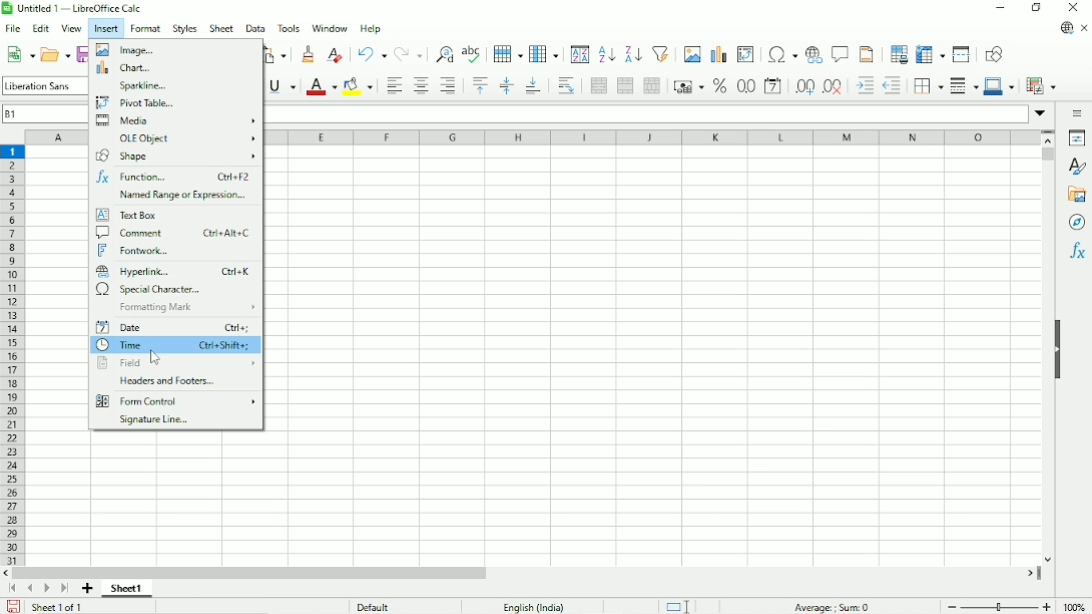 The image size is (1092, 614). What do you see at coordinates (176, 158) in the screenshot?
I see `Shape` at bounding box center [176, 158].